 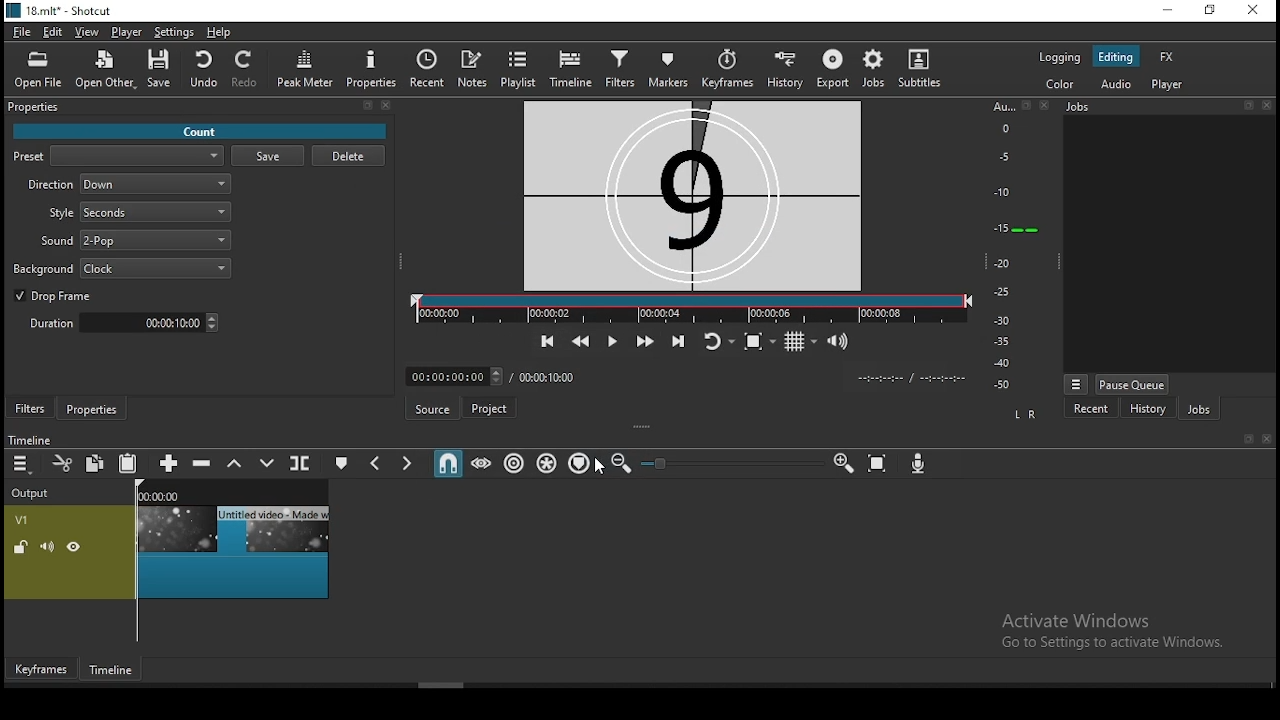 I want to click on previous marker, so click(x=377, y=462).